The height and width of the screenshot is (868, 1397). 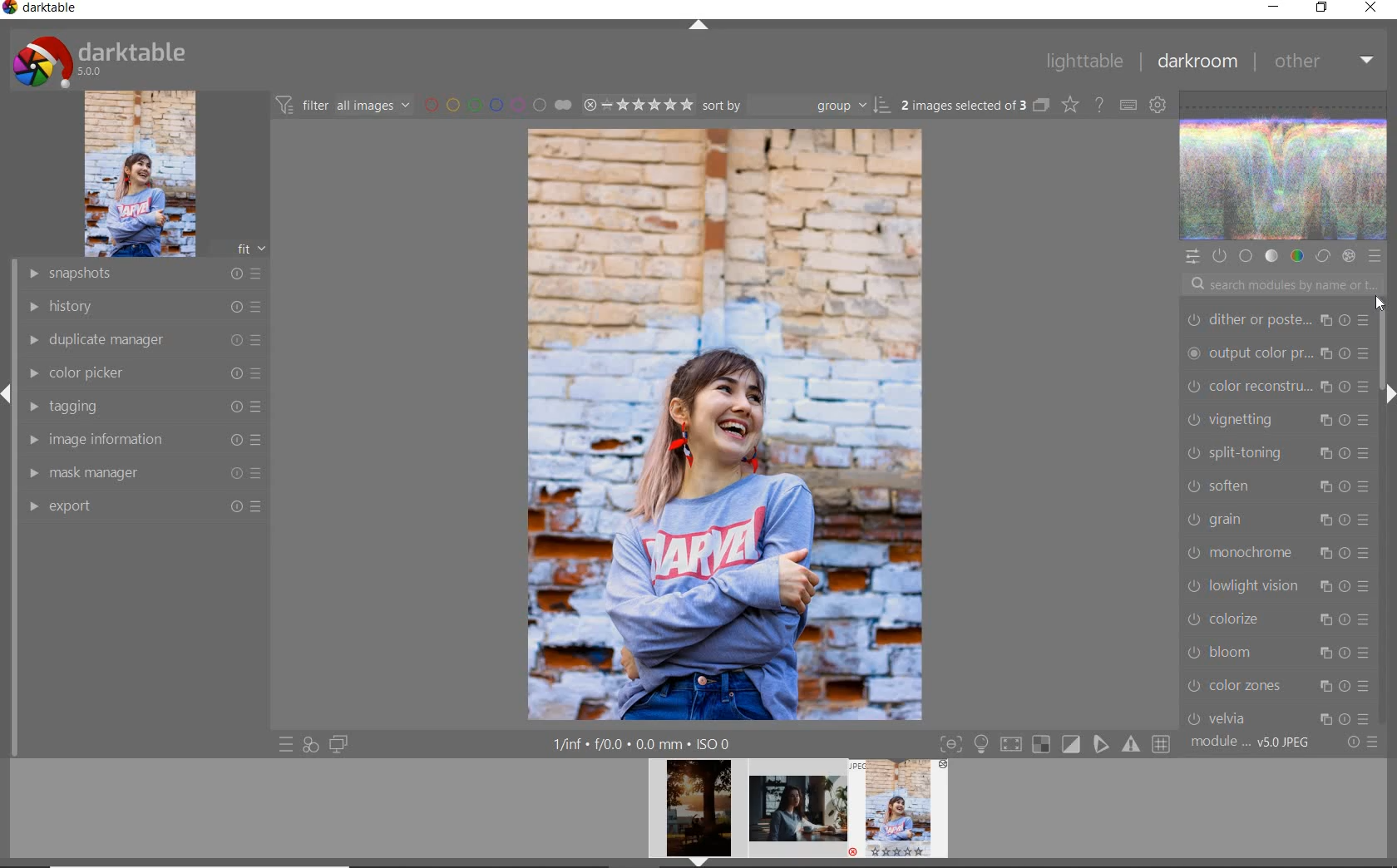 I want to click on show only active module, so click(x=1218, y=256).